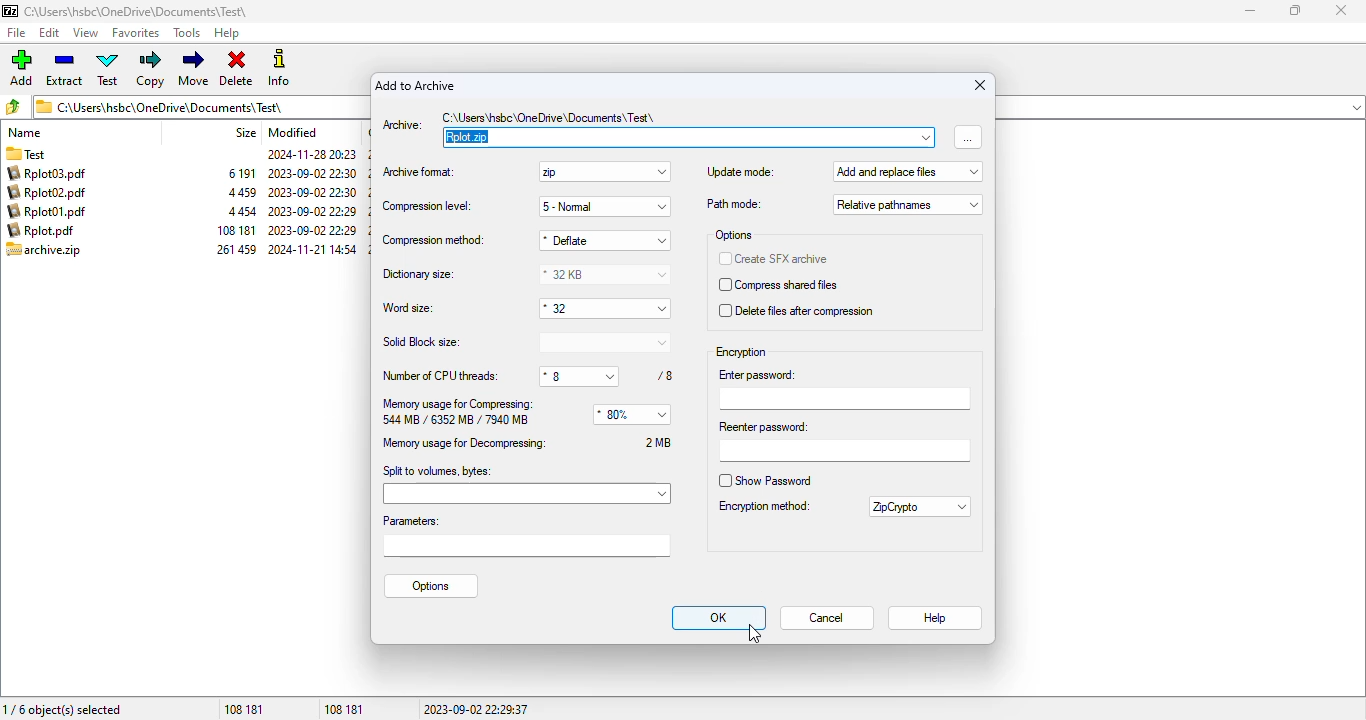 The height and width of the screenshot is (720, 1366). What do you see at coordinates (476, 708) in the screenshot?
I see `2023-09-02 22:29:37` at bounding box center [476, 708].